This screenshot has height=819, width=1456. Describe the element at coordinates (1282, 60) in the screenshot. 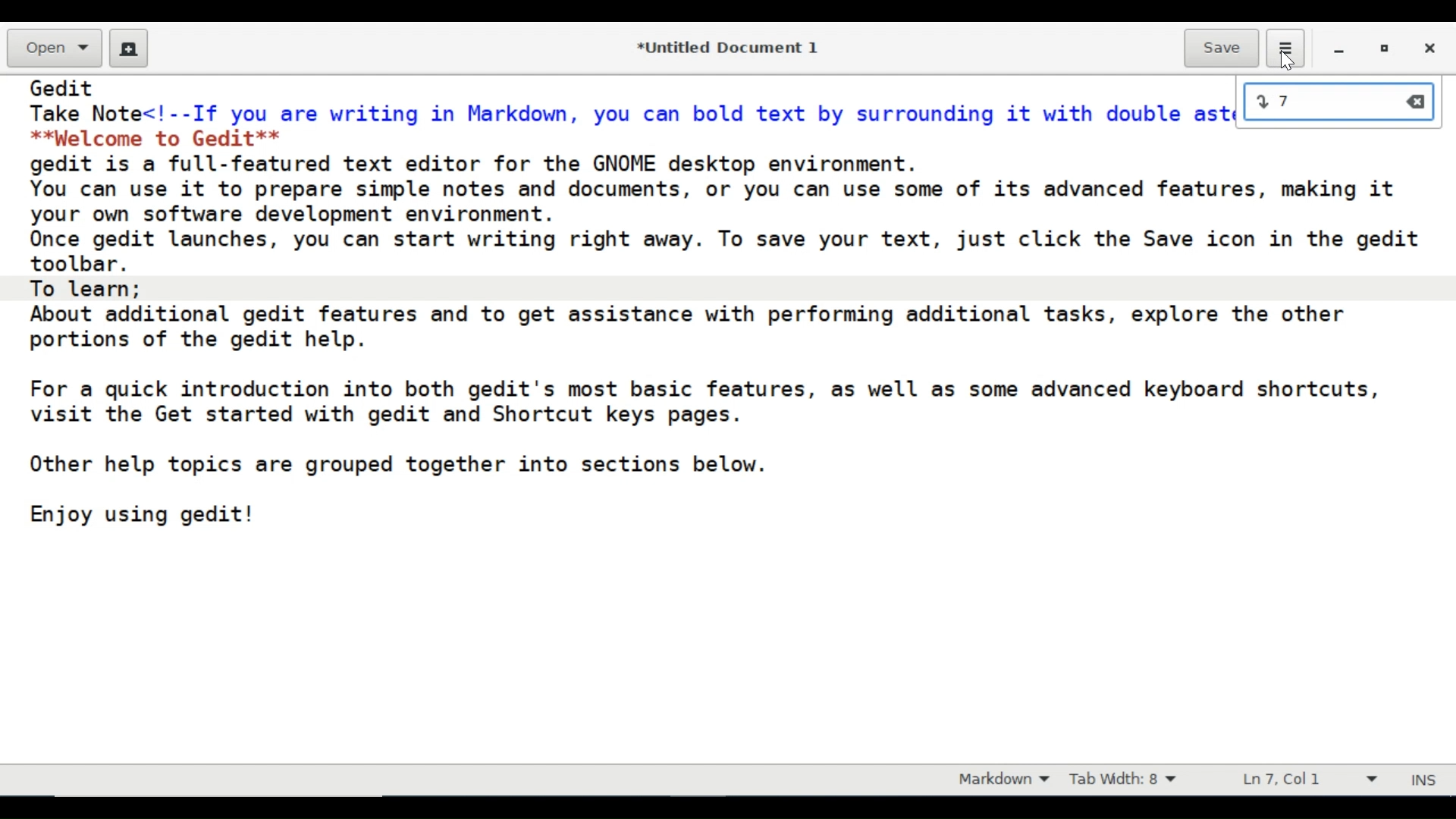

I see `Cursor` at that location.